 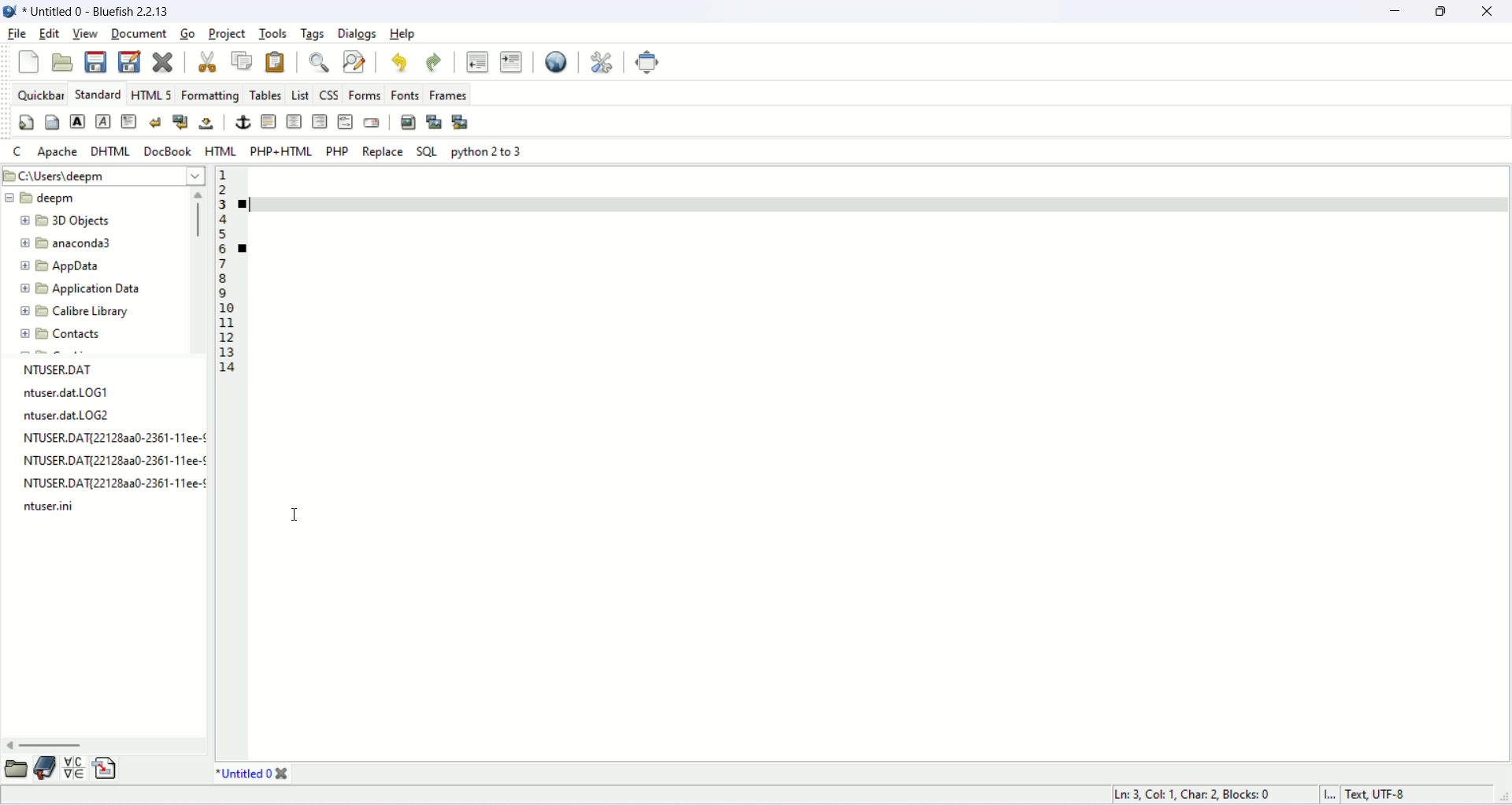 I want to click on scroll bar, so click(x=199, y=270).